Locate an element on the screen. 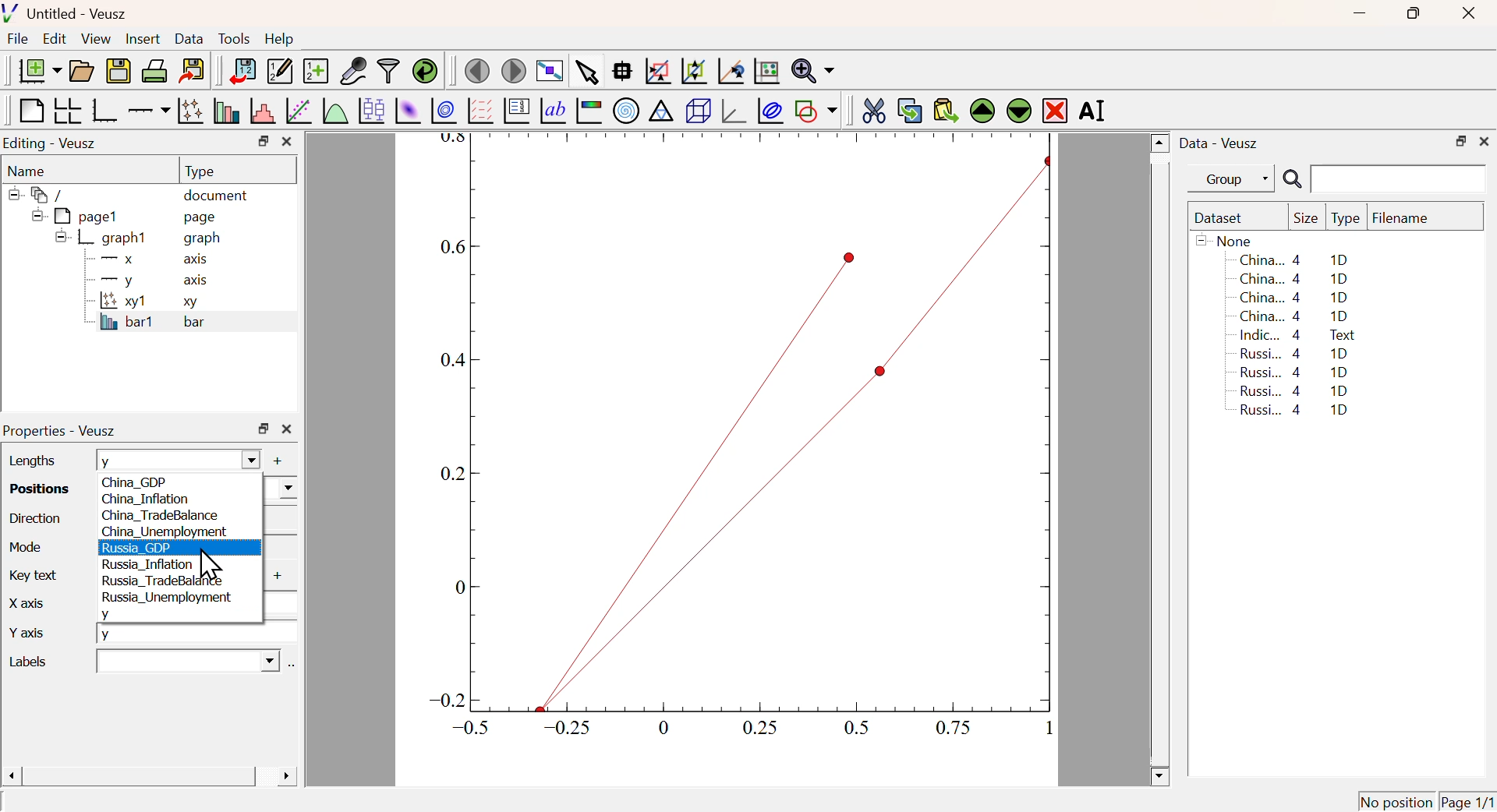 This screenshot has height=812, width=1497. China... 4 1D is located at coordinates (1294, 316).